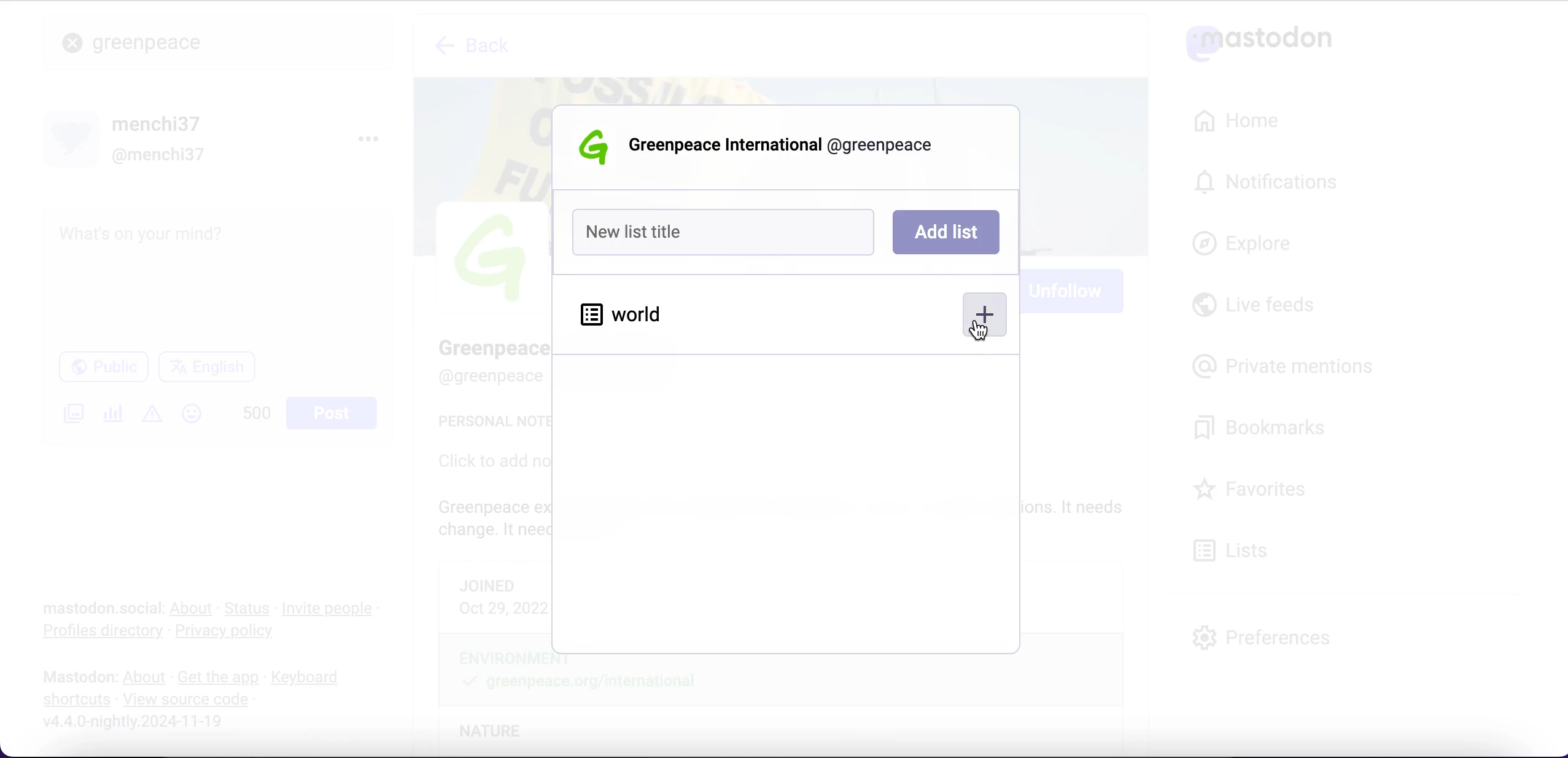 The image size is (1568, 758). I want to click on user, so click(790, 148).